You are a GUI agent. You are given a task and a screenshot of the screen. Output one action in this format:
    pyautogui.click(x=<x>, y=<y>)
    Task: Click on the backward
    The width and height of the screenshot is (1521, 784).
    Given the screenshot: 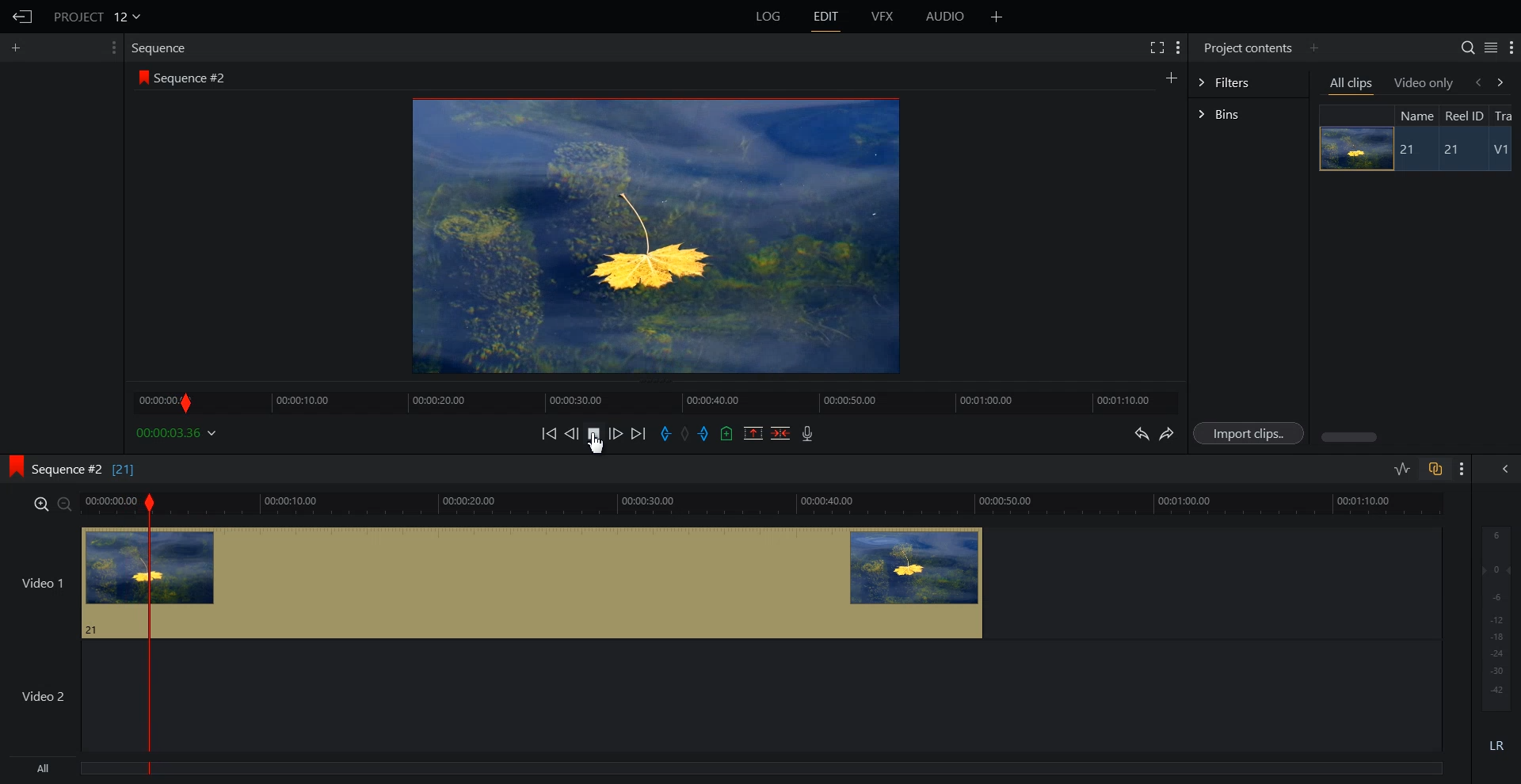 What is the action you would take?
    pyautogui.click(x=1477, y=82)
    